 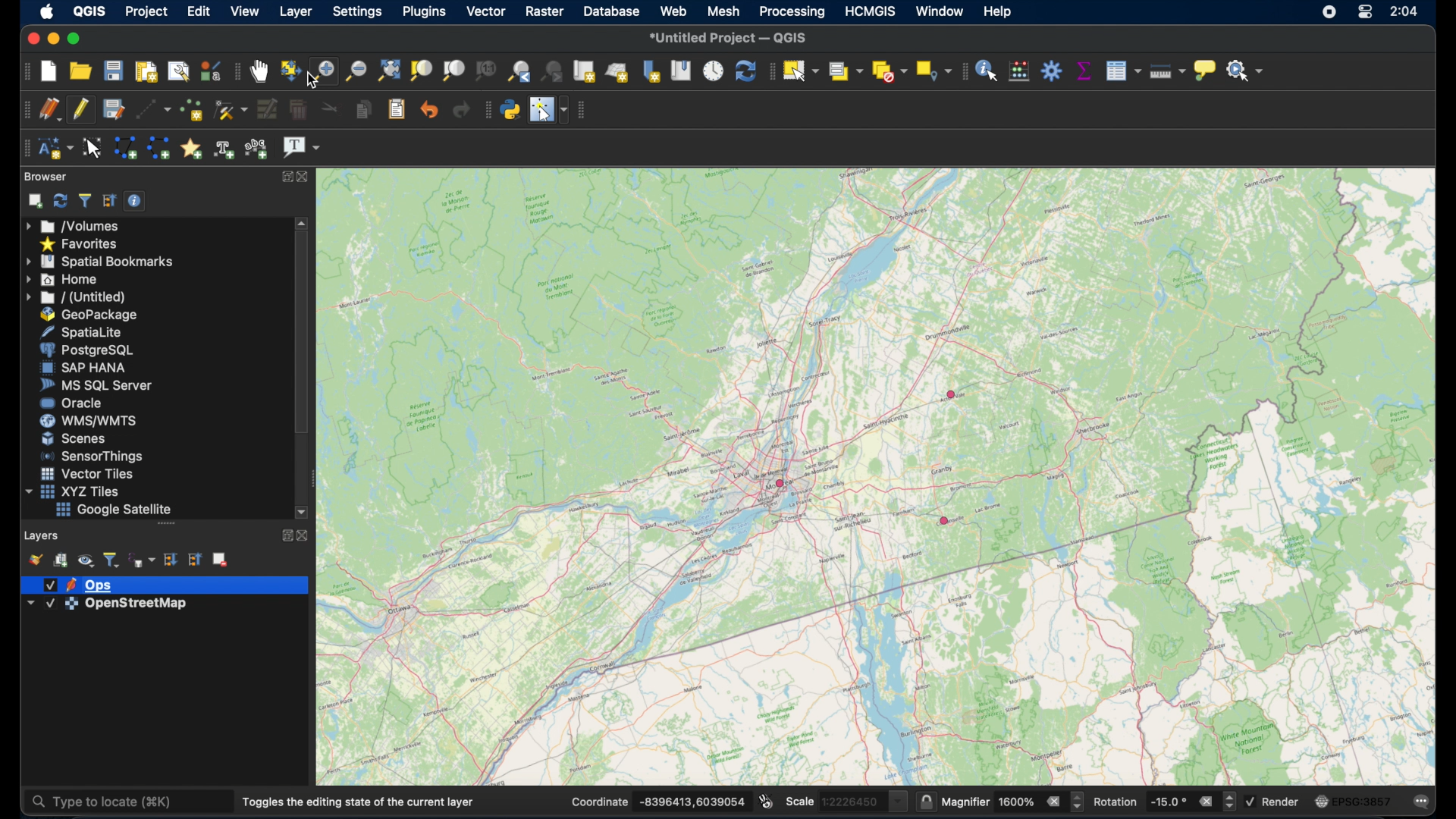 I want to click on select features by area or single click, so click(x=799, y=69).